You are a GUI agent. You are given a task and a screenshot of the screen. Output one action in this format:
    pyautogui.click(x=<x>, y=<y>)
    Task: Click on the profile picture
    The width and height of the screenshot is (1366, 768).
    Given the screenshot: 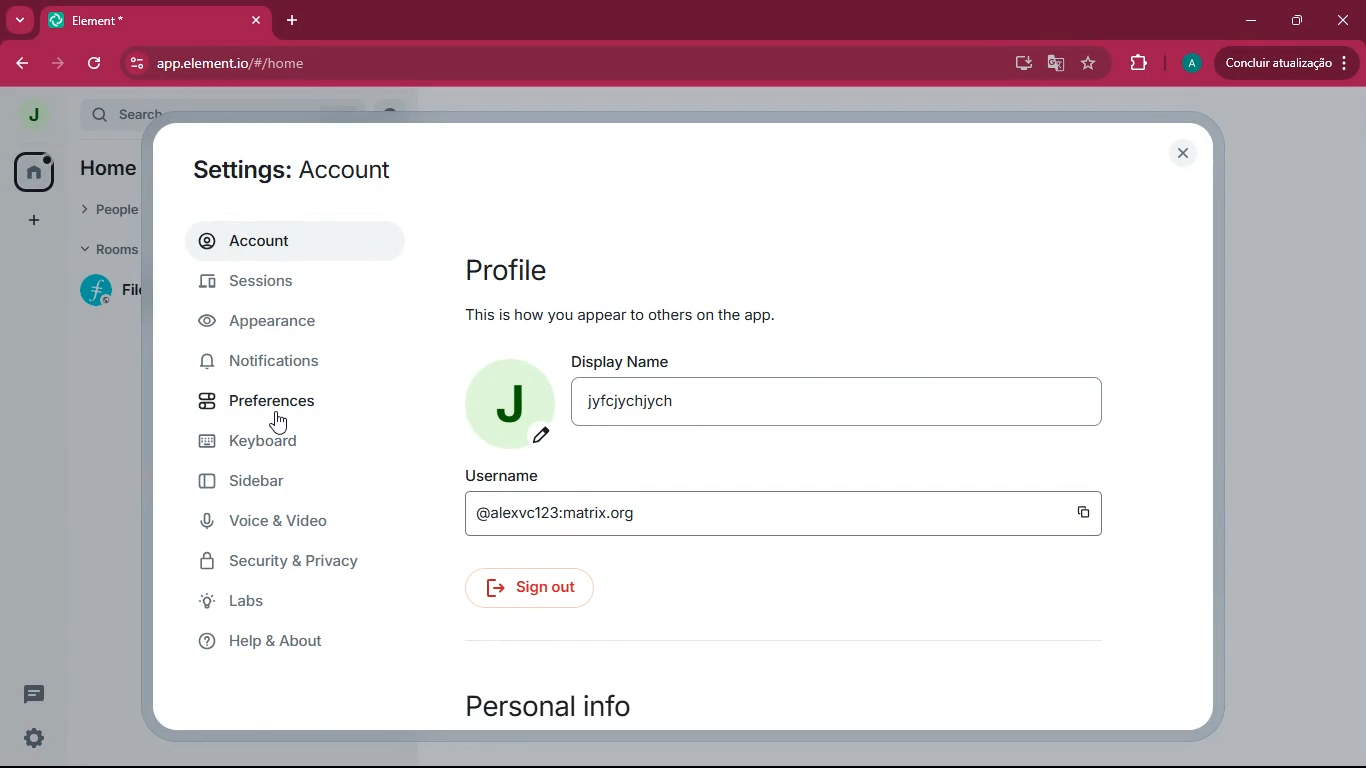 What is the action you would take?
    pyautogui.click(x=500, y=405)
    